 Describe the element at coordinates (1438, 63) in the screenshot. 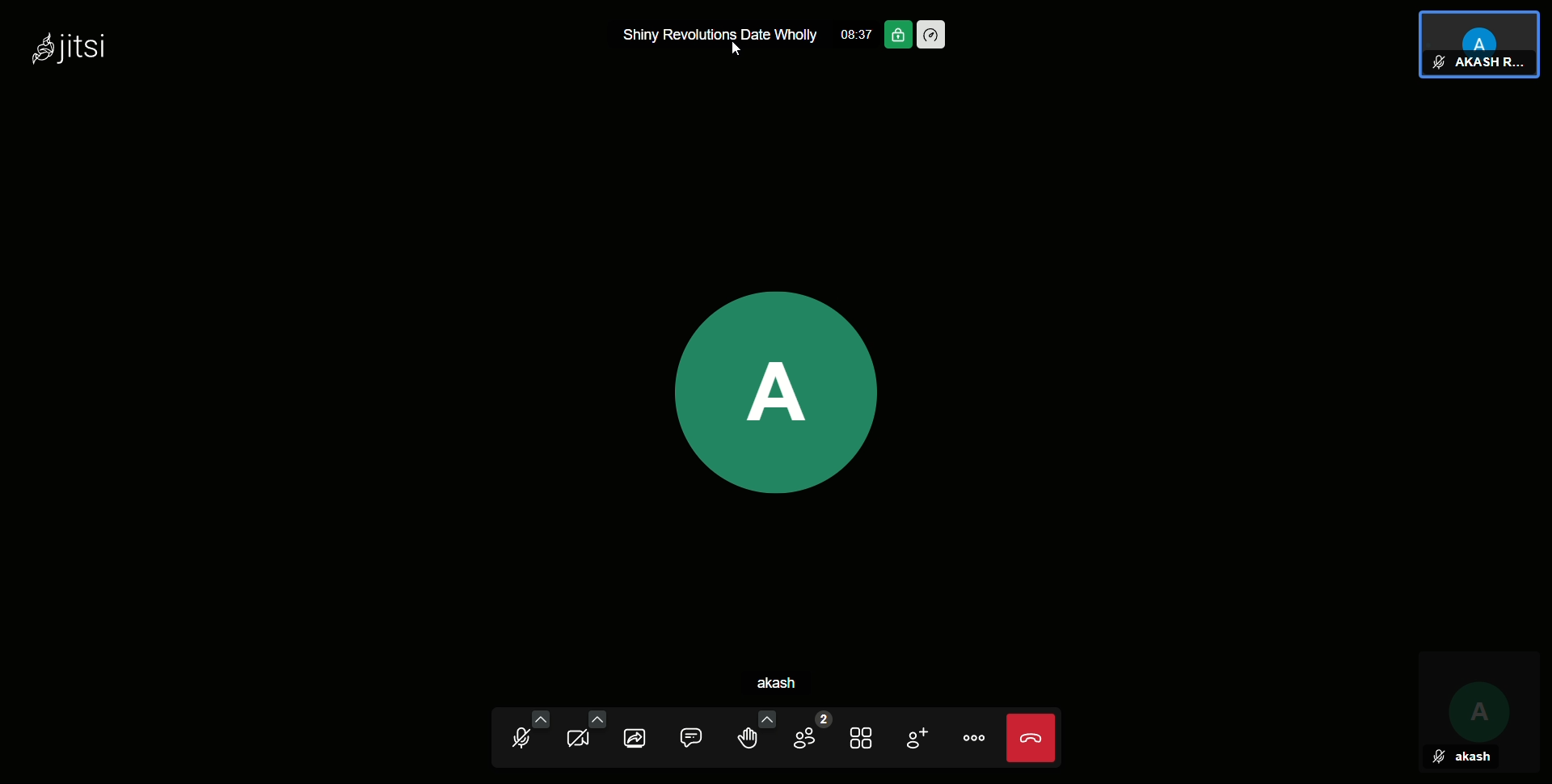

I see `mute` at that location.